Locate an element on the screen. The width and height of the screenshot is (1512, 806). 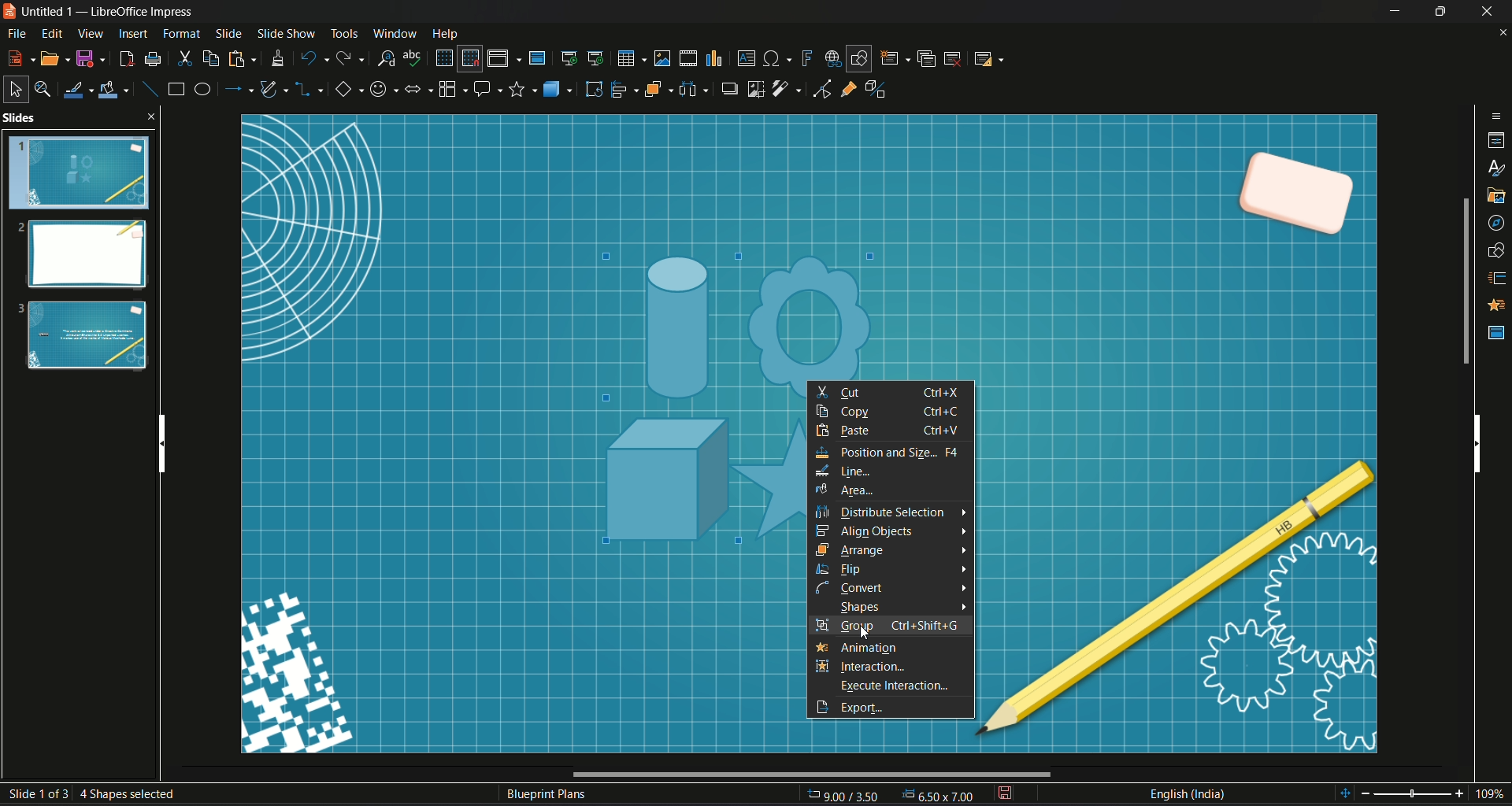
curves and polygon is located at coordinates (276, 90).